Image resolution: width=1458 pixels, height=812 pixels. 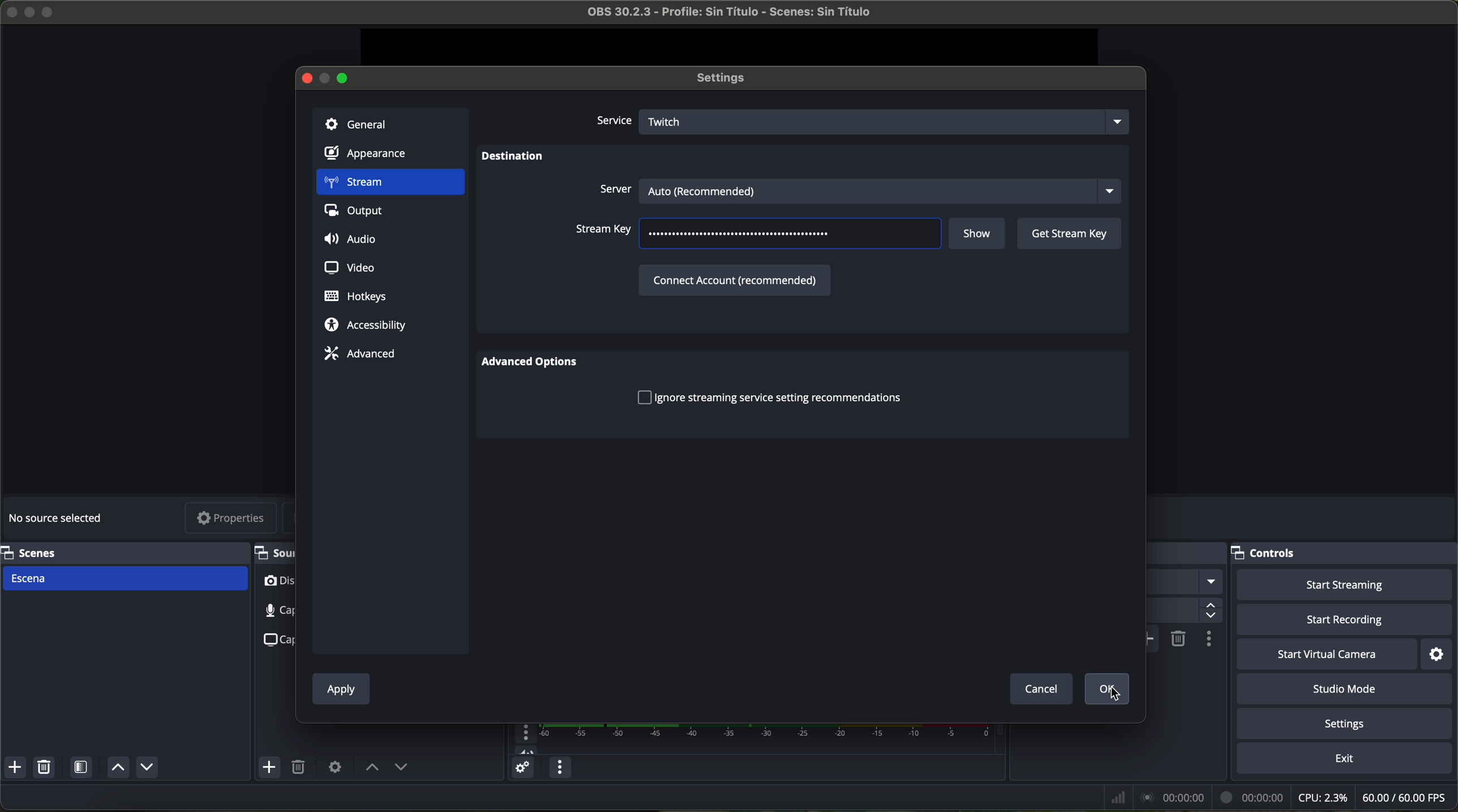 I want to click on ignore streaming service setting recommendations, so click(x=769, y=399).